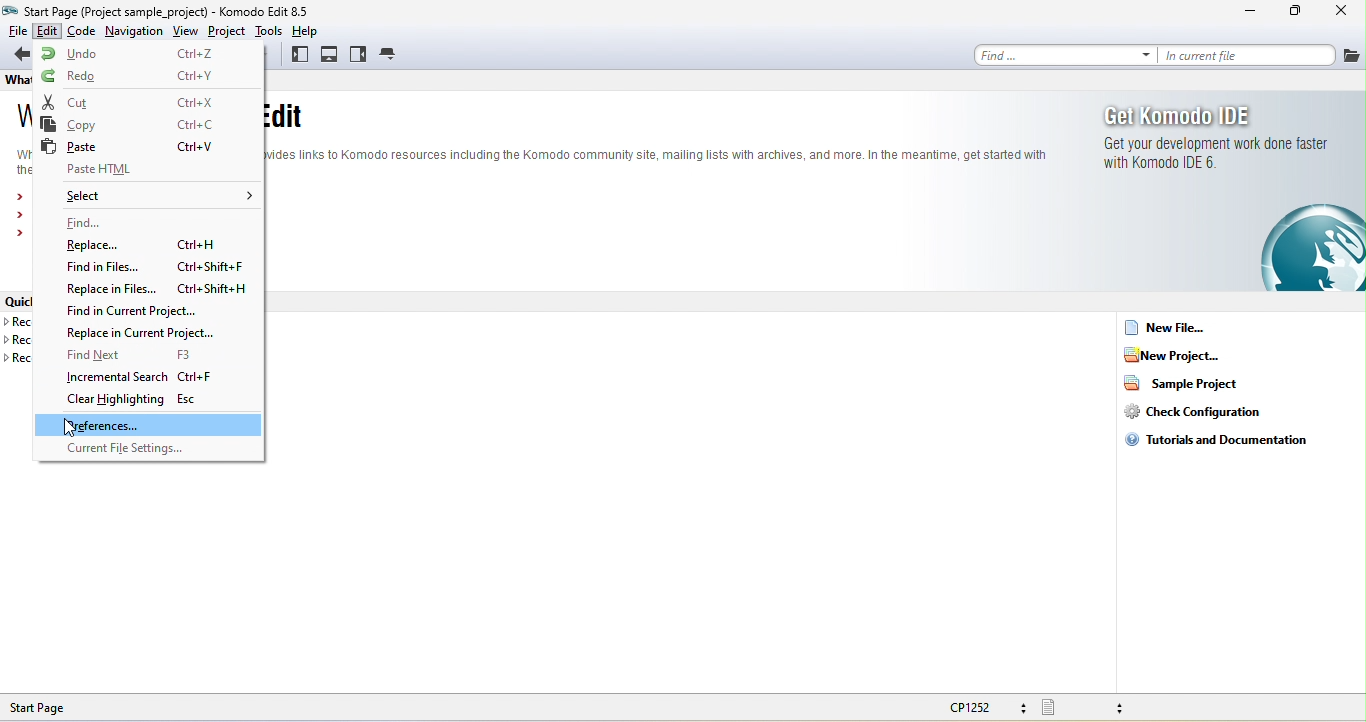  Describe the element at coordinates (132, 148) in the screenshot. I see `paste` at that location.